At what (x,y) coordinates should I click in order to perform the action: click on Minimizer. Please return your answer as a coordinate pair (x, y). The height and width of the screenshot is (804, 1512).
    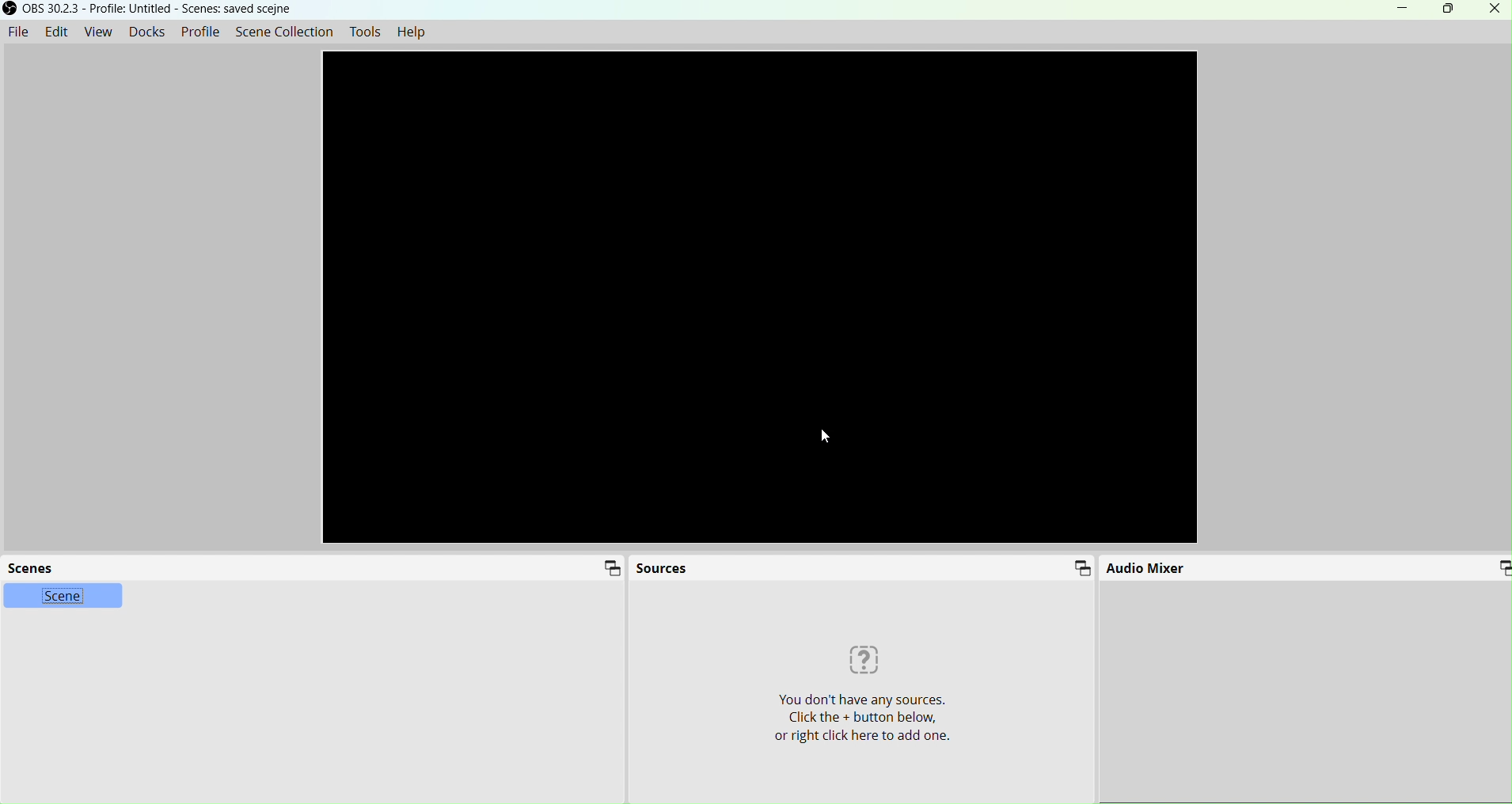
    Looking at the image, I should click on (1489, 567).